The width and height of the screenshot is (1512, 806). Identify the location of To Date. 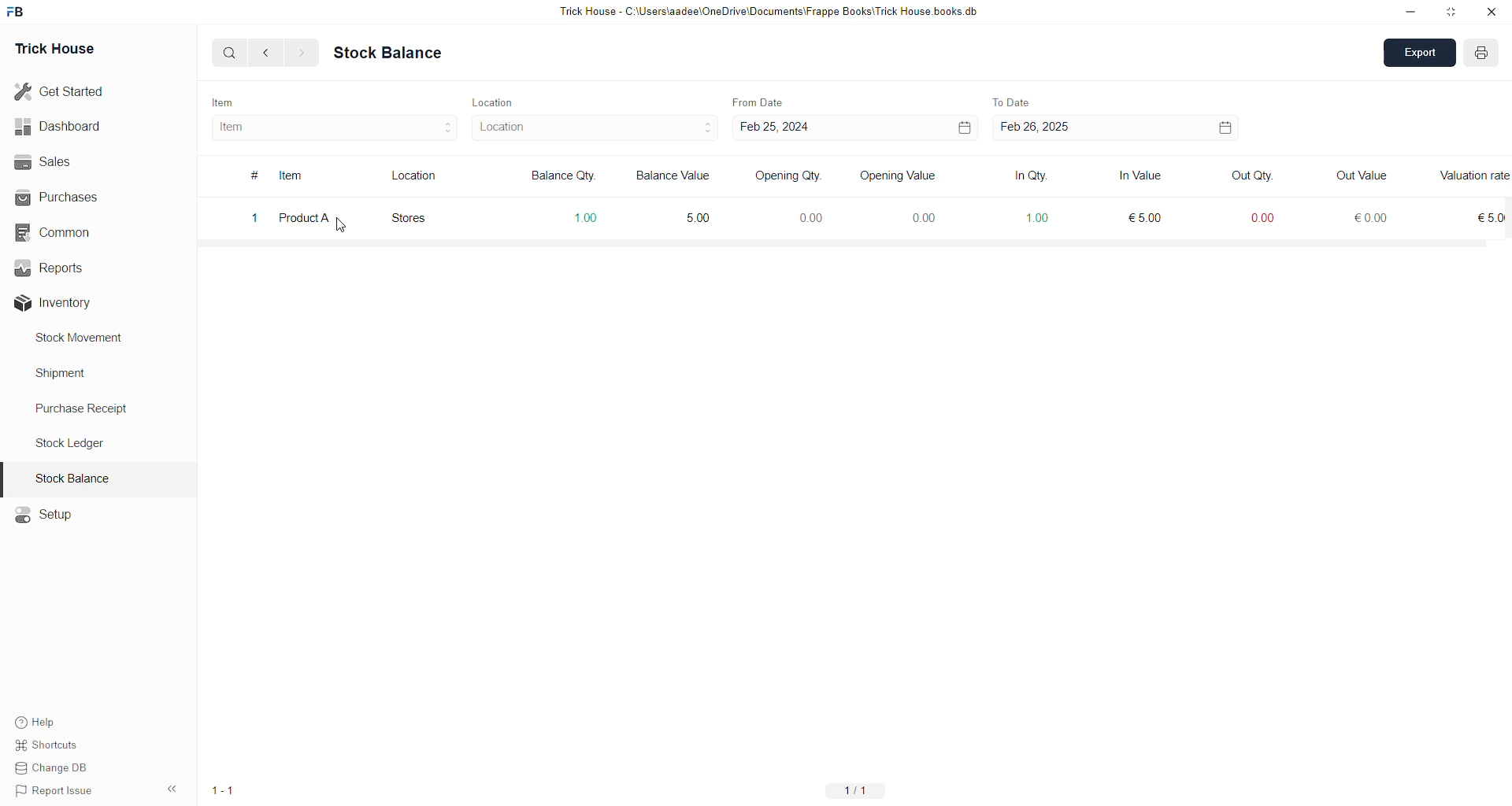
(1022, 102).